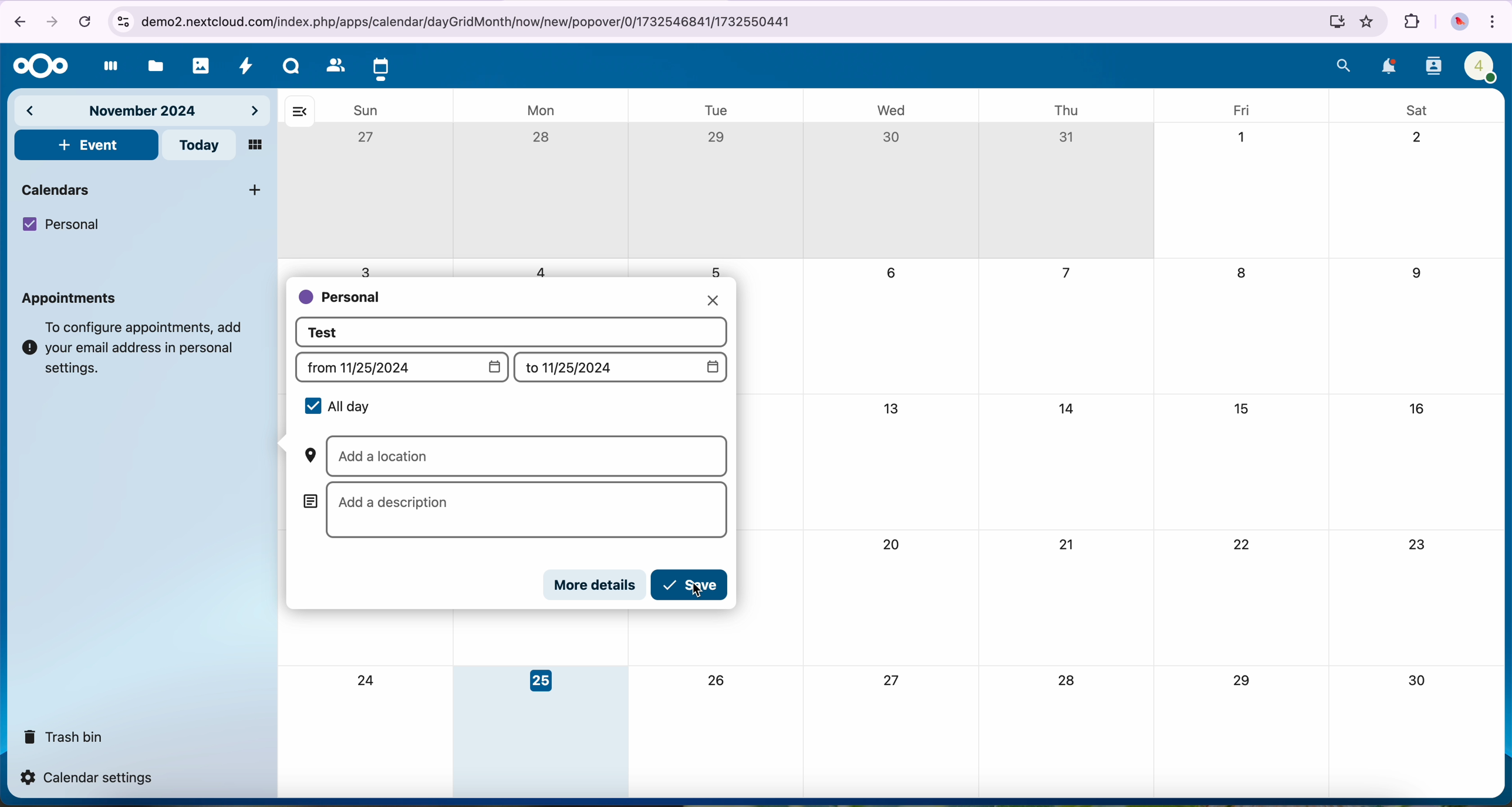 This screenshot has height=807, width=1512. Describe the element at coordinates (544, 110) in the screenshot. I see `mon` at that location.